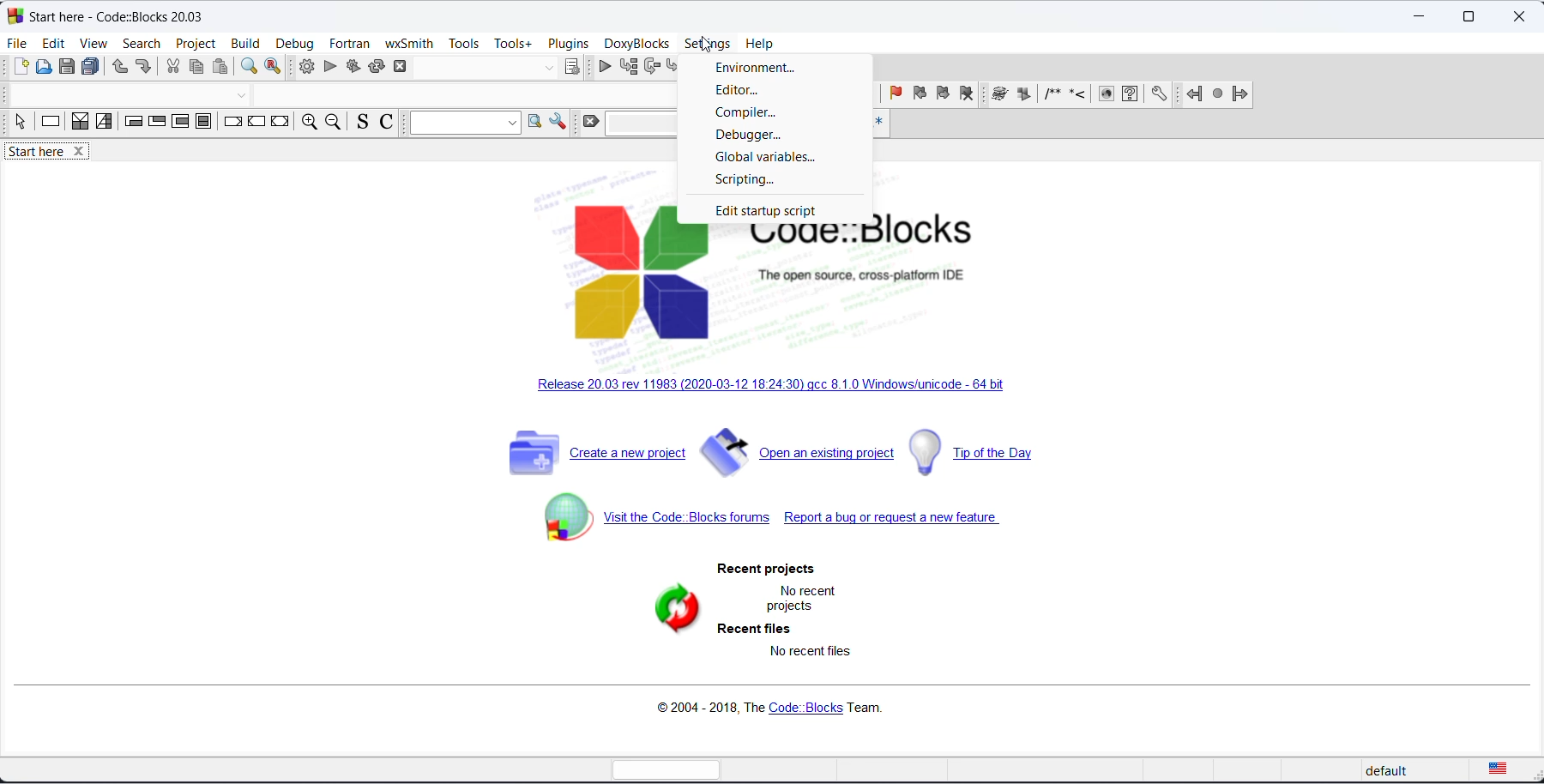 Image resolution: width=1544 pixels, height=784 pixels. I want to click on step into, so click(672, 67).